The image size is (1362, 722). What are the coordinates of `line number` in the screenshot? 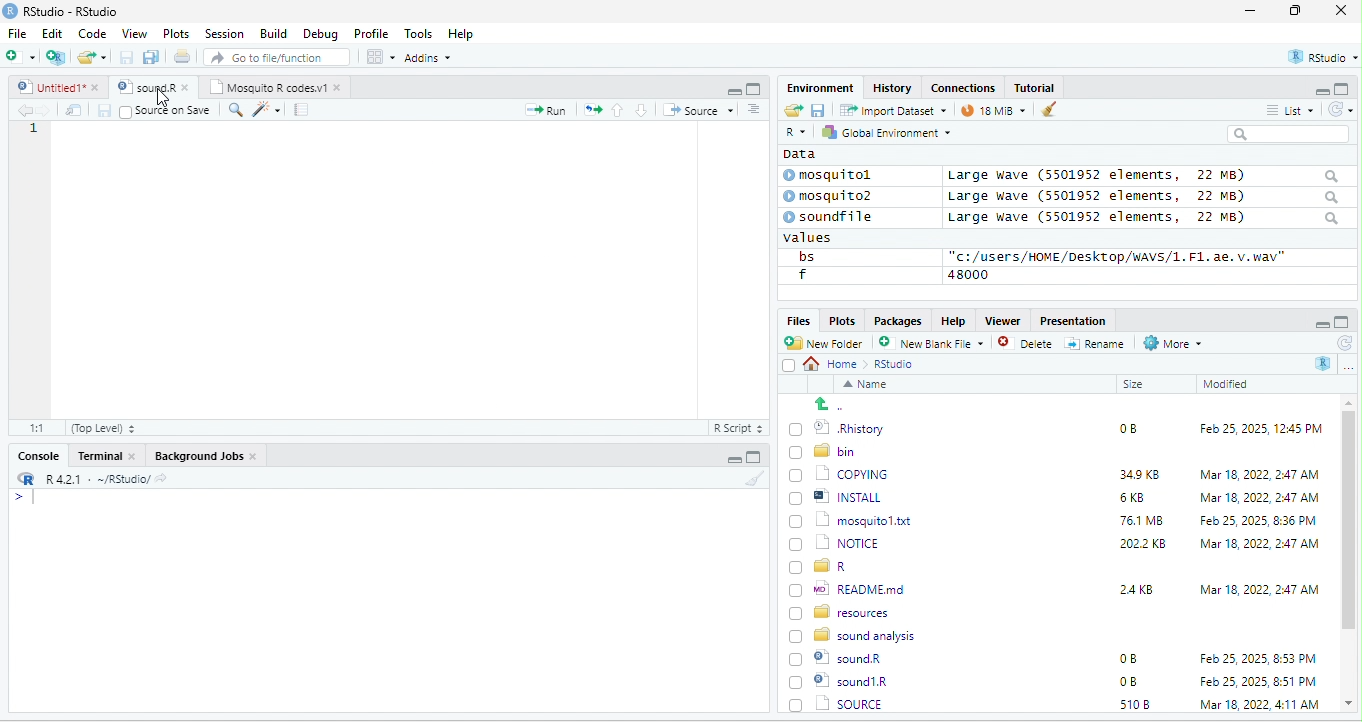 It's located at (40, 268).